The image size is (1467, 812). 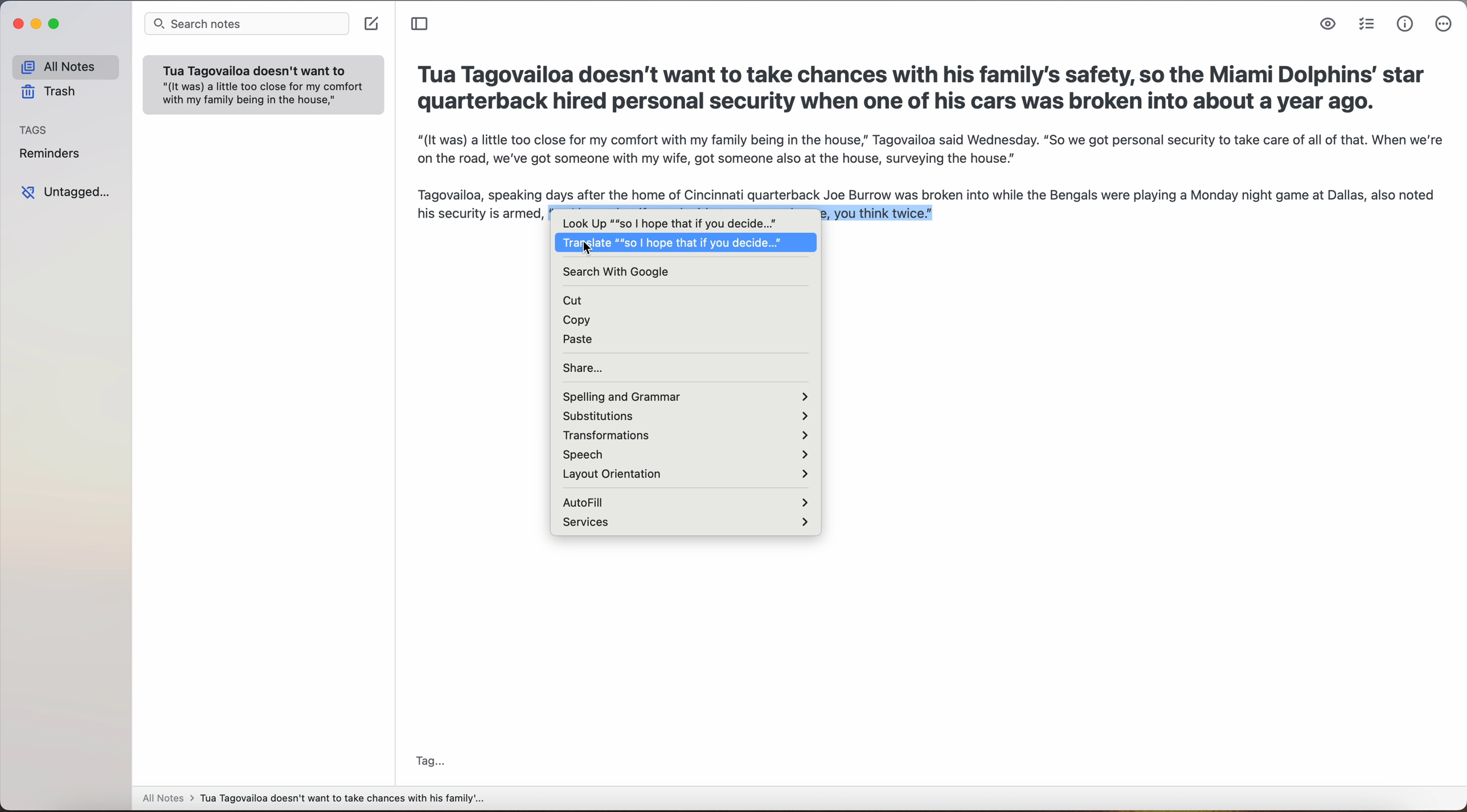 What do you see at coordinates (1404, 24) in the screenshot?
I see `metrics` at bounding box center [1404, 24].